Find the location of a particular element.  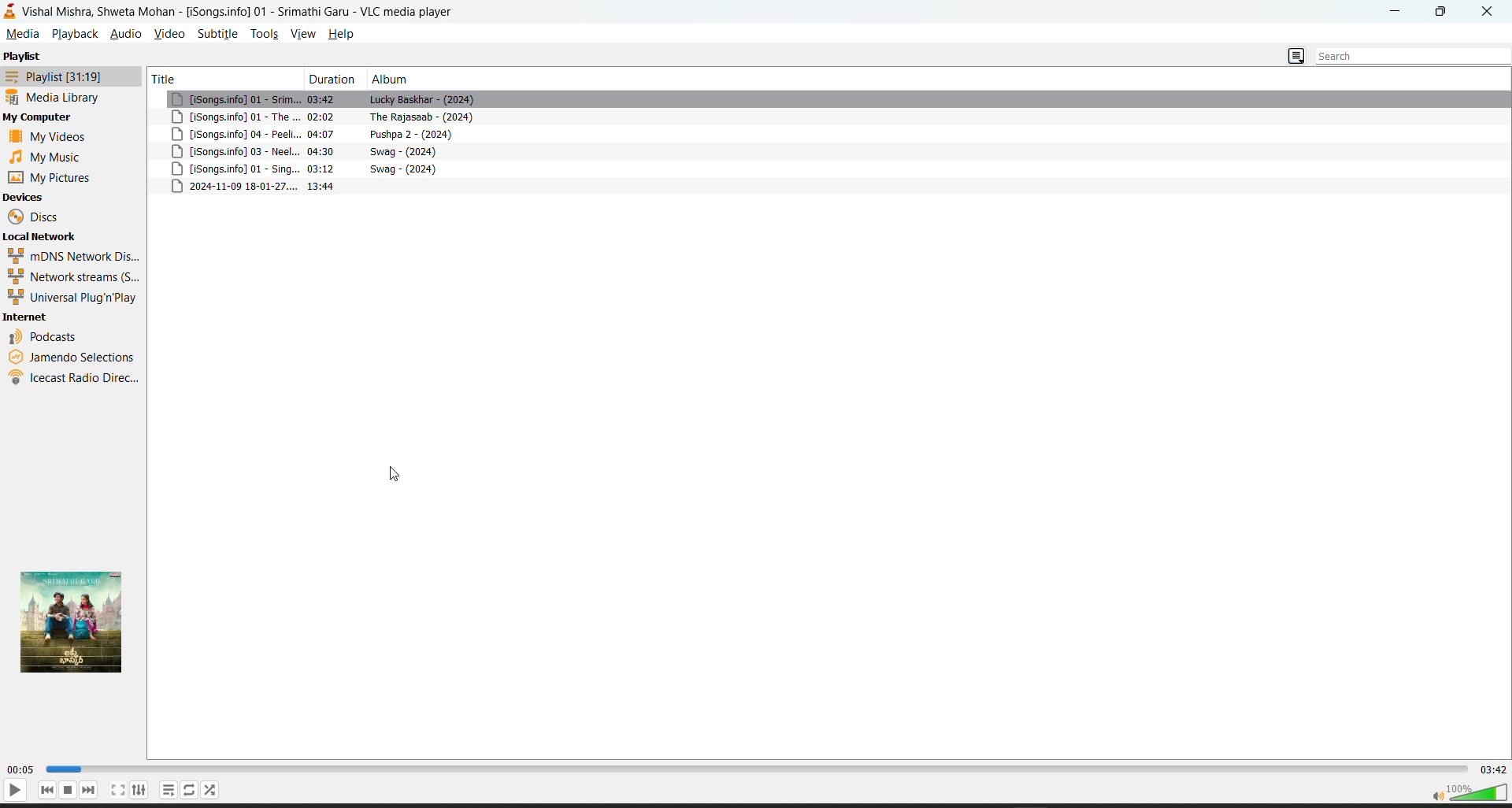

view is located at coordinates (305, 34).